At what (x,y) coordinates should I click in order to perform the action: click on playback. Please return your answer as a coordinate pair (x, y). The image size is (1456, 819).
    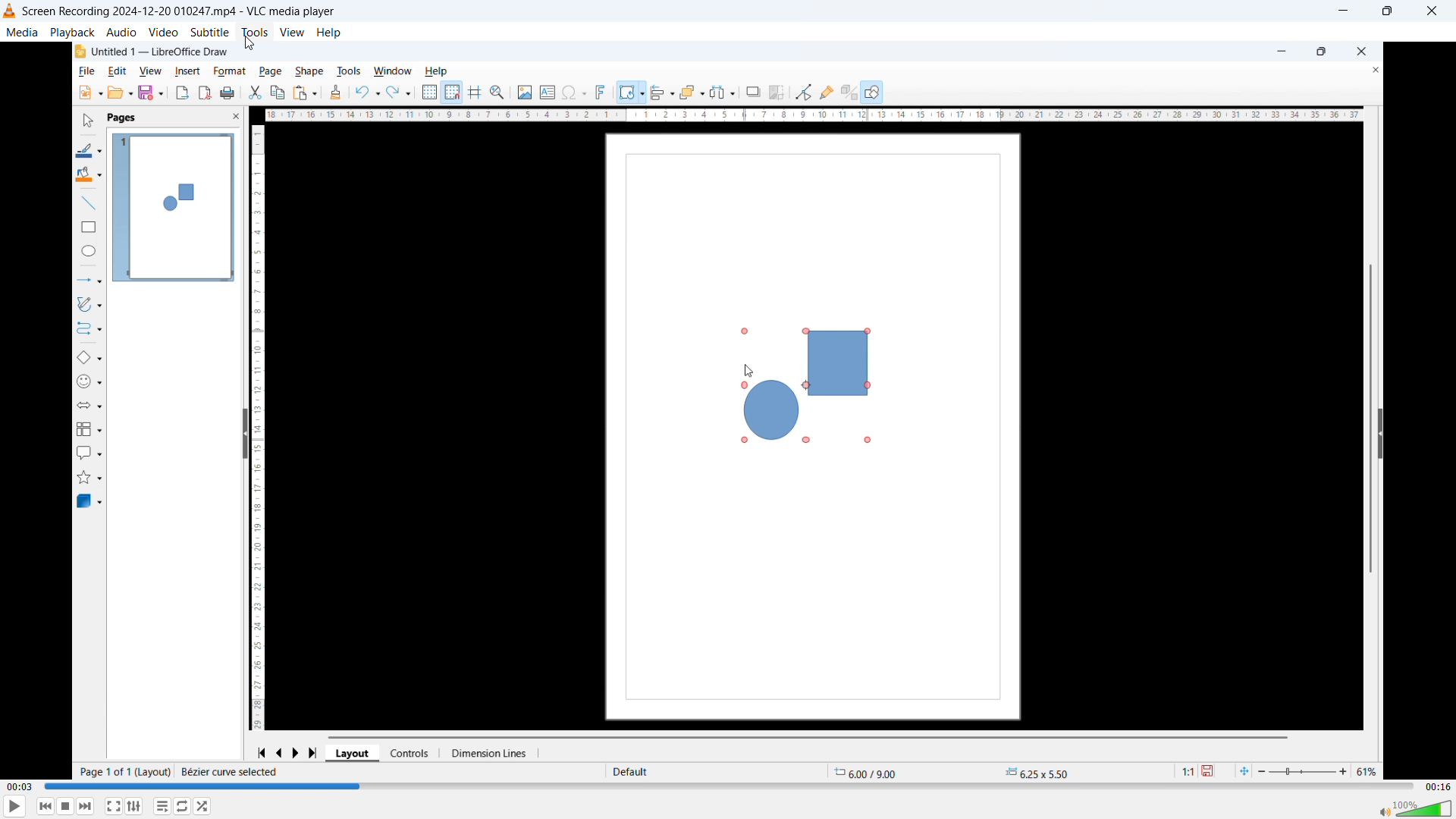
    Looking at the image, I should click on (72, 32).